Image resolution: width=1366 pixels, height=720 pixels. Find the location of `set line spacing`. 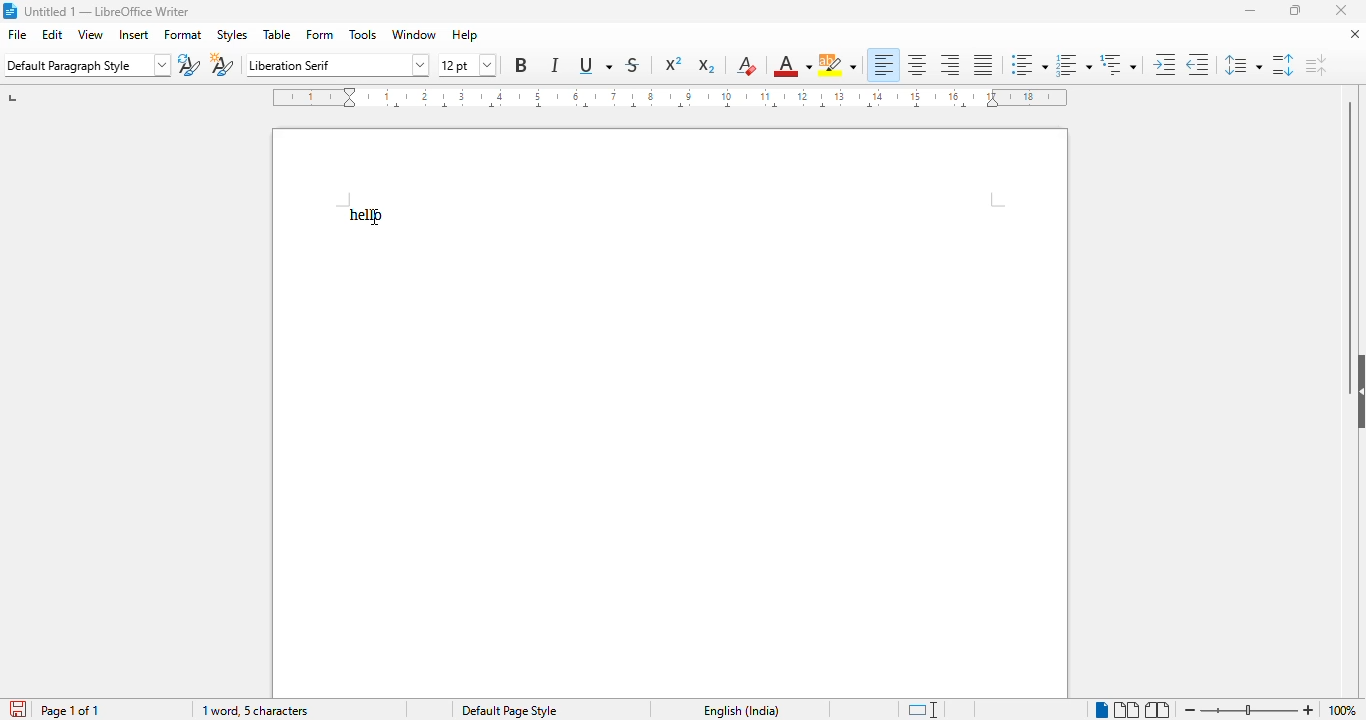

set line spacing is located at coordinates (1241, 65).